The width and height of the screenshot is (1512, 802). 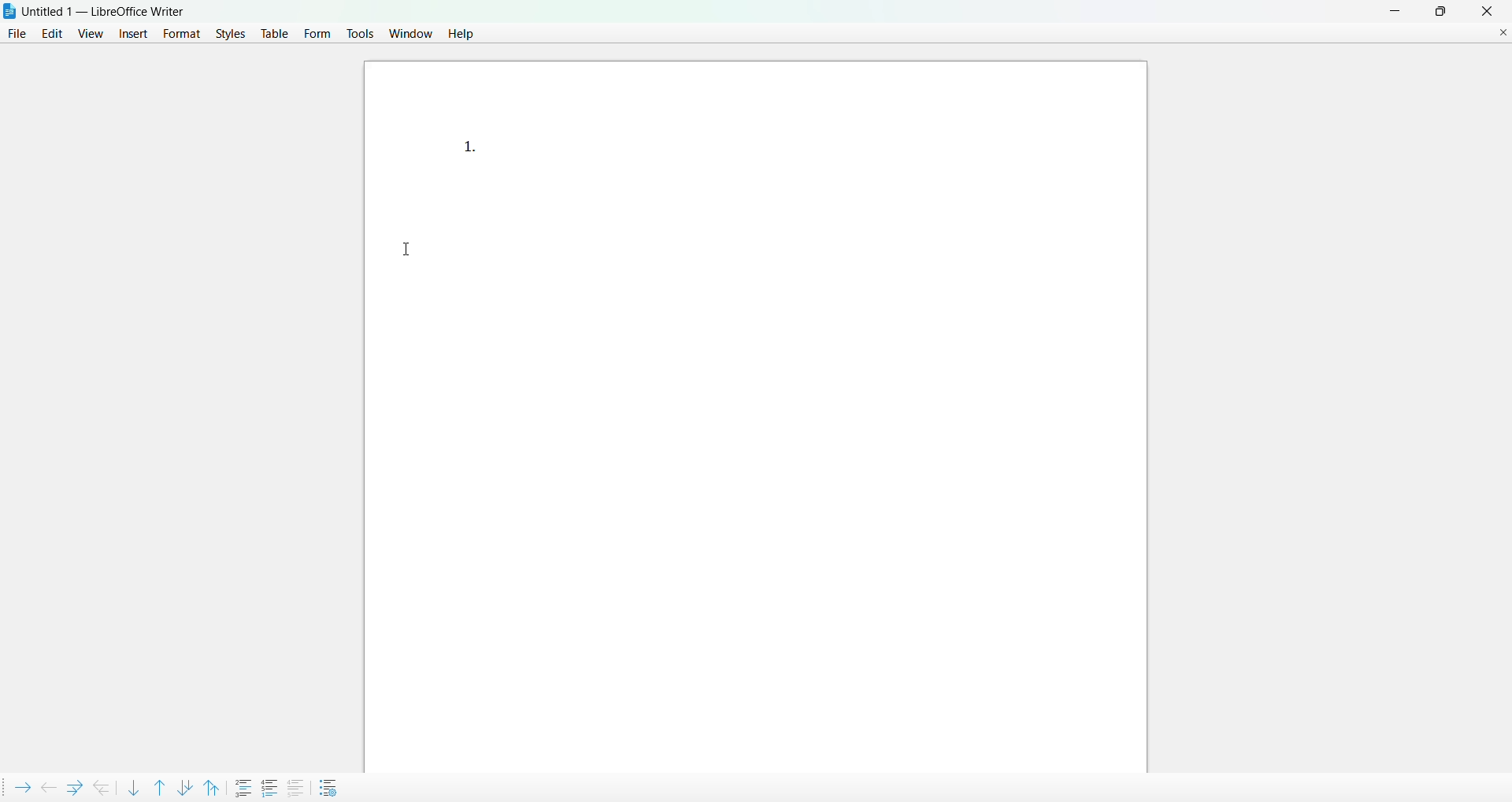 What do you see at coordinates (129, 33) in the screenshot?
I see `insert` at bounding box center [129, 33].